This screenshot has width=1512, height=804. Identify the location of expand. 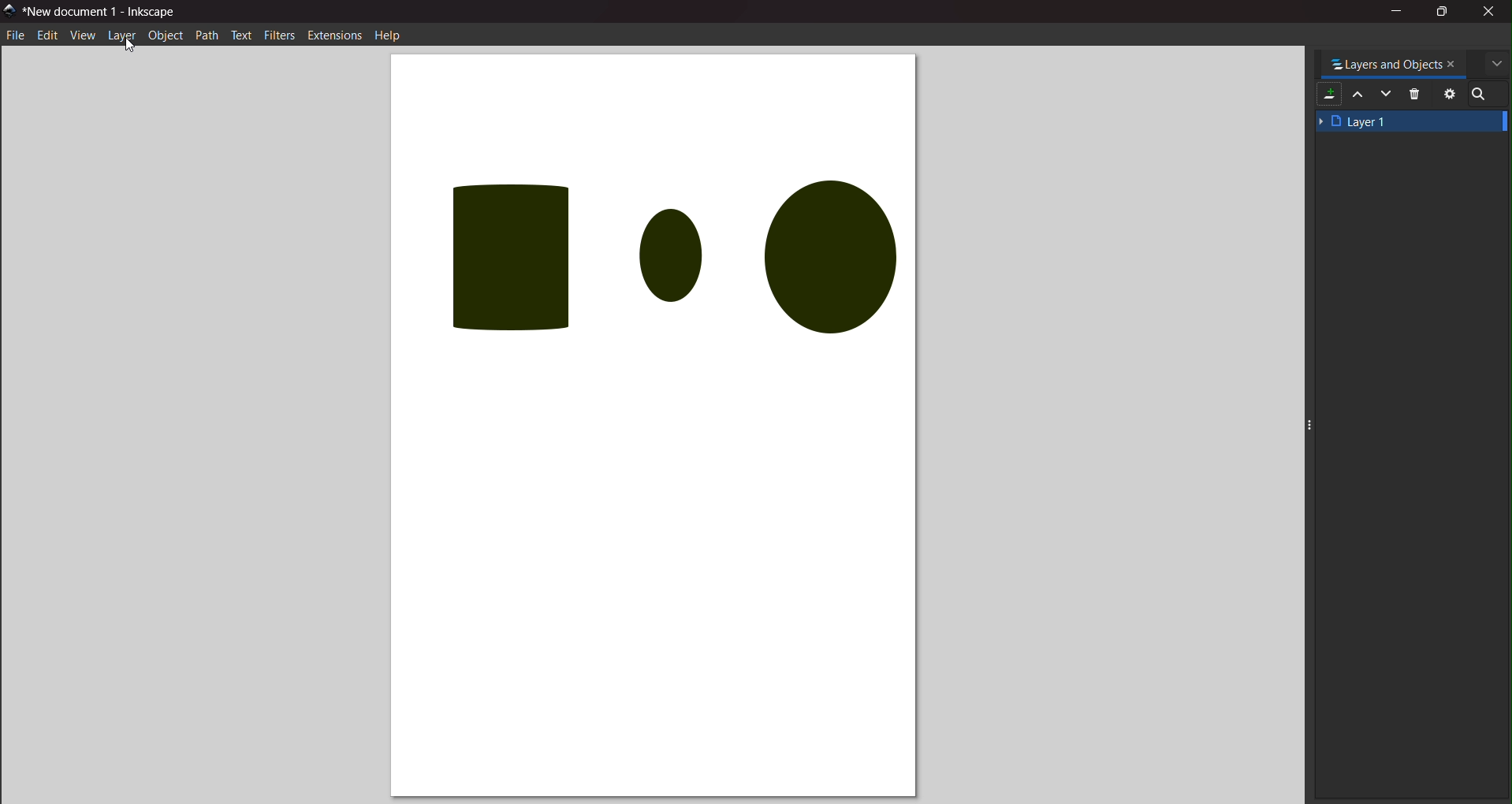
(1497, 422).